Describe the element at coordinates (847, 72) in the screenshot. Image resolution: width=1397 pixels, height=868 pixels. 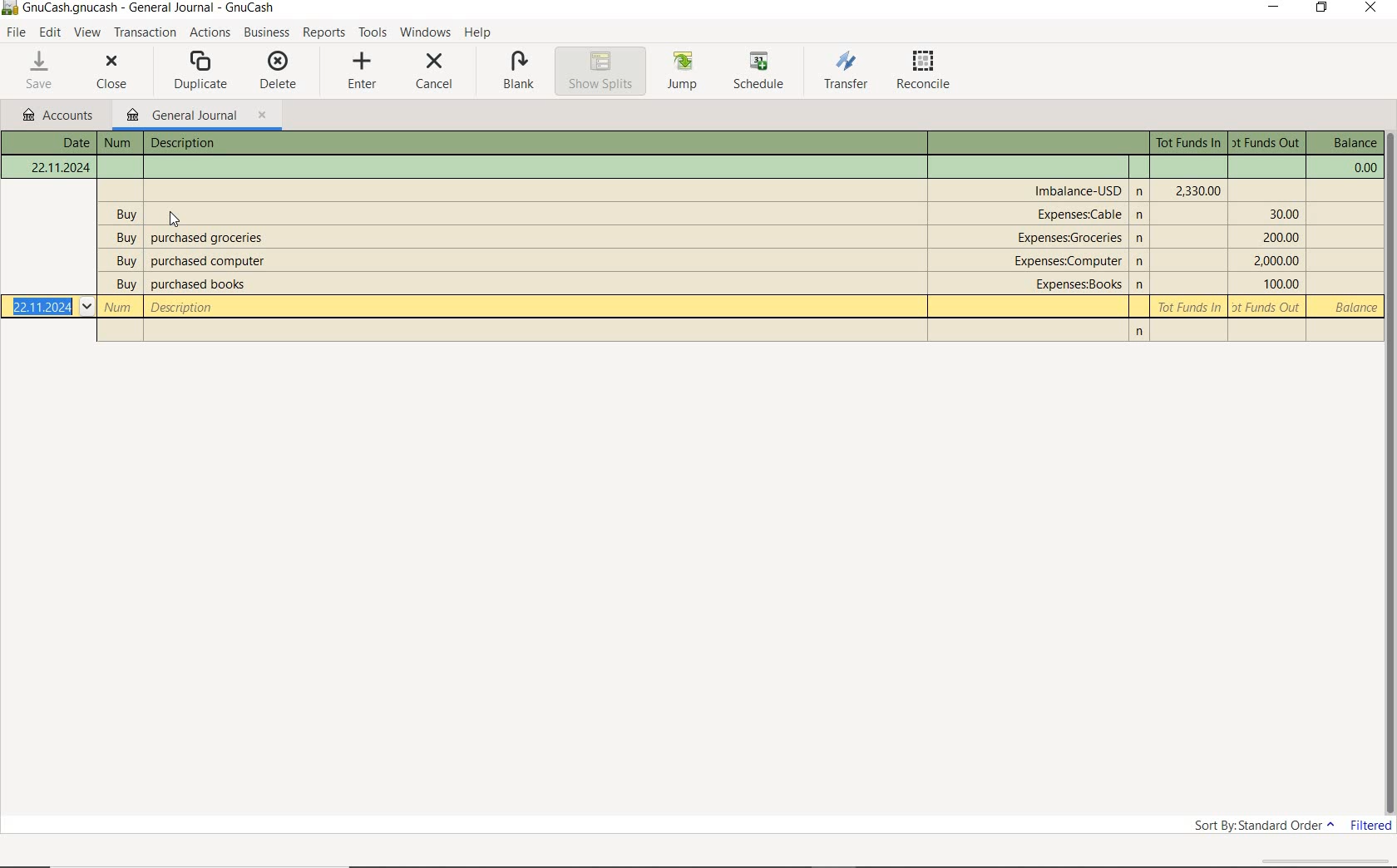
I see `transfer` at that location.